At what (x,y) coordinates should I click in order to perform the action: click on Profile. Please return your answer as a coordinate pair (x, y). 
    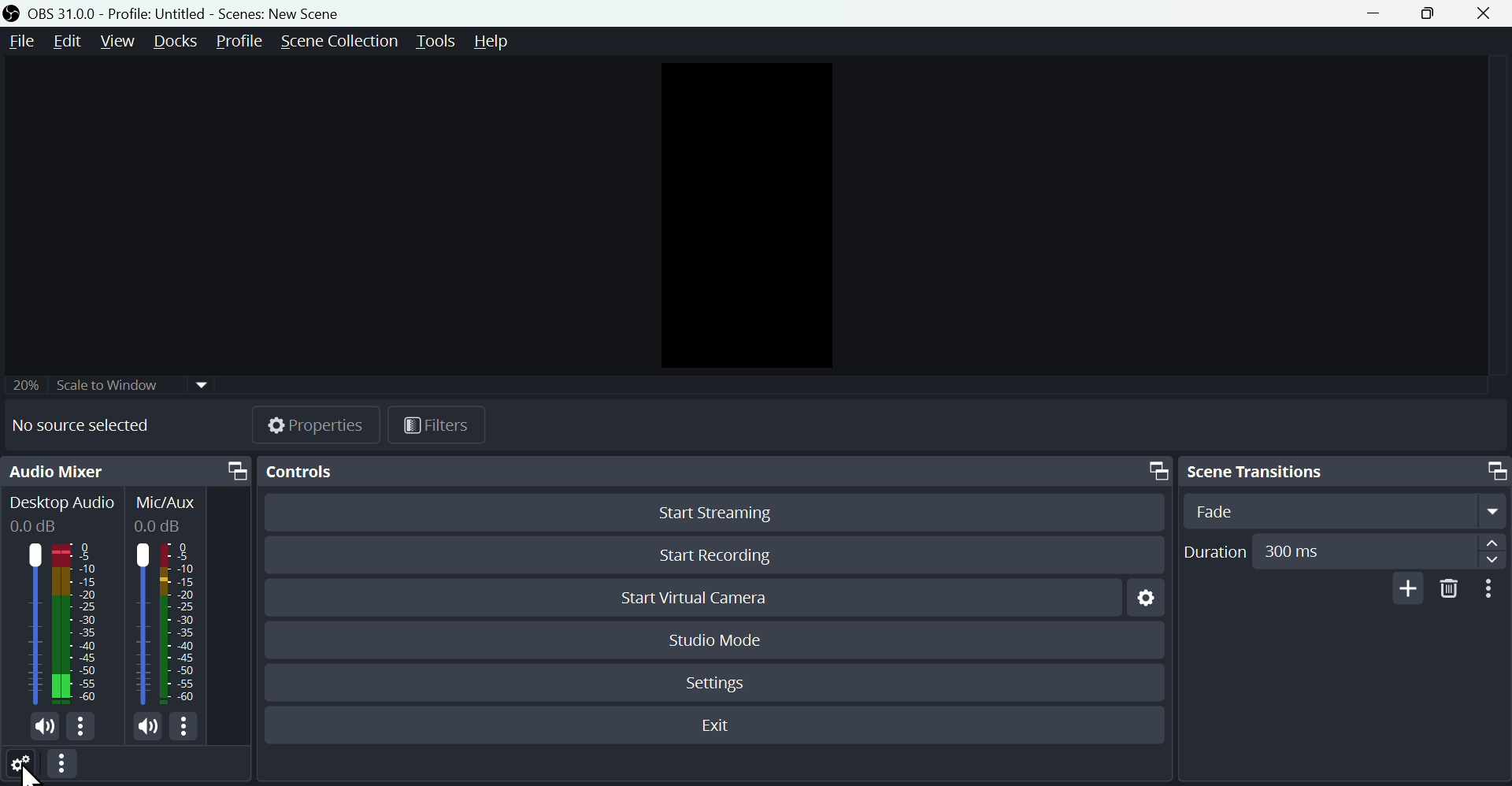
    Looking at the image, I should click on (238, 42).